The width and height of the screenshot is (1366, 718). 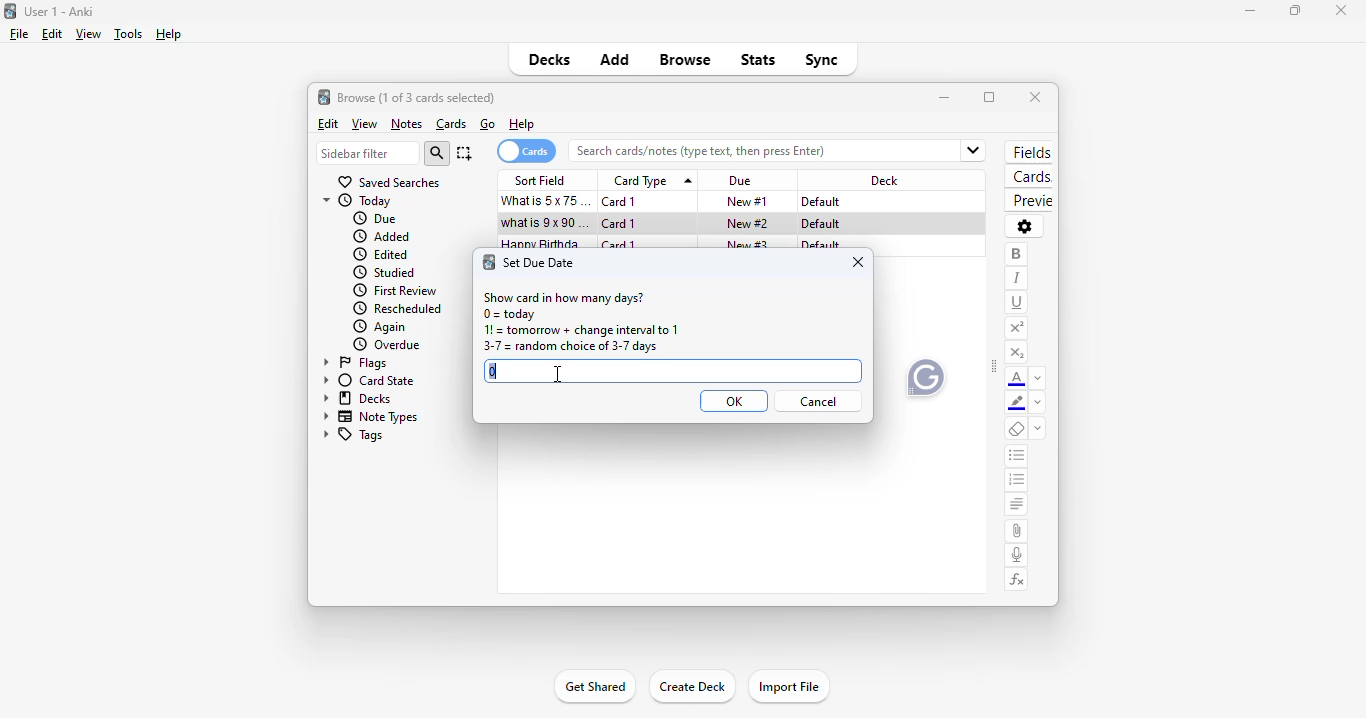 What do you see at coordinates (1017, 429) in the screenshot?
I see `remove formatting` at bounding box center [1017, 429].